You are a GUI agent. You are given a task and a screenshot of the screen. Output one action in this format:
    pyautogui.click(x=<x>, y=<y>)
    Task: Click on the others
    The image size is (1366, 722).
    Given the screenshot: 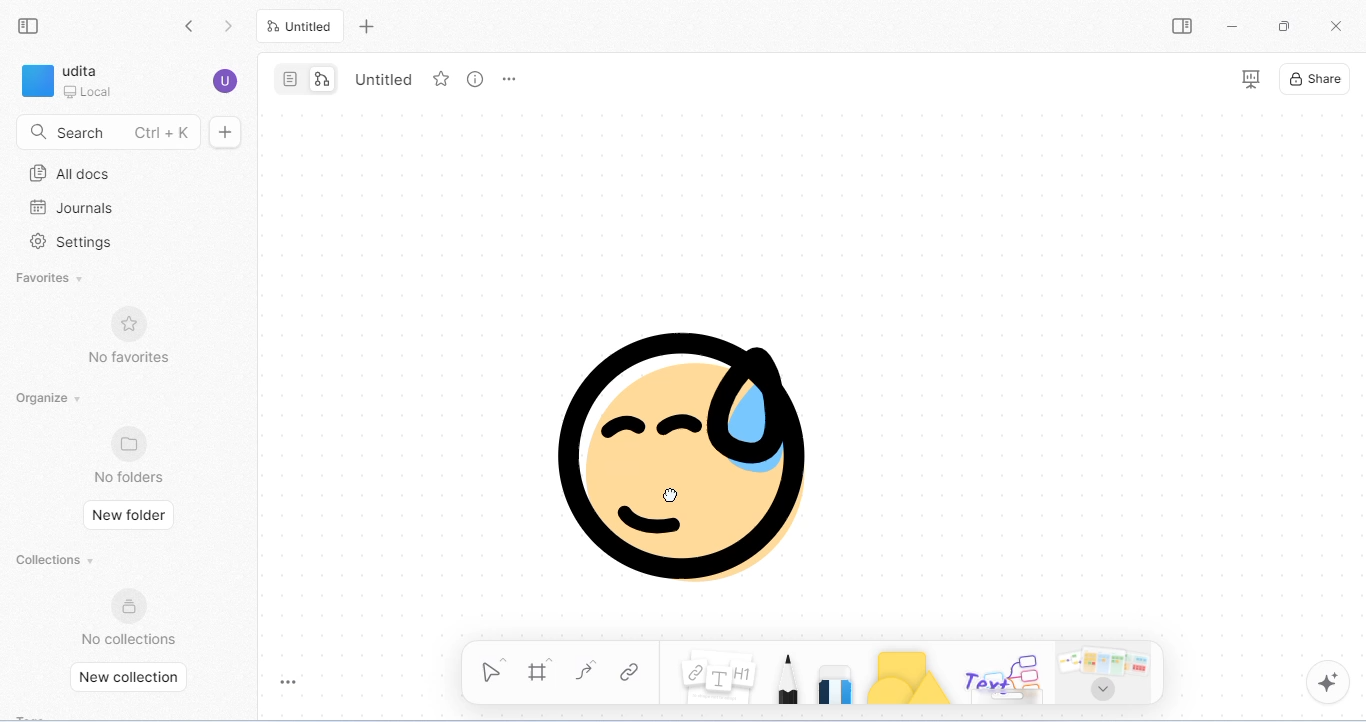 What is the action you would take?
    pyautogui.click(x=1007, y=677)
    